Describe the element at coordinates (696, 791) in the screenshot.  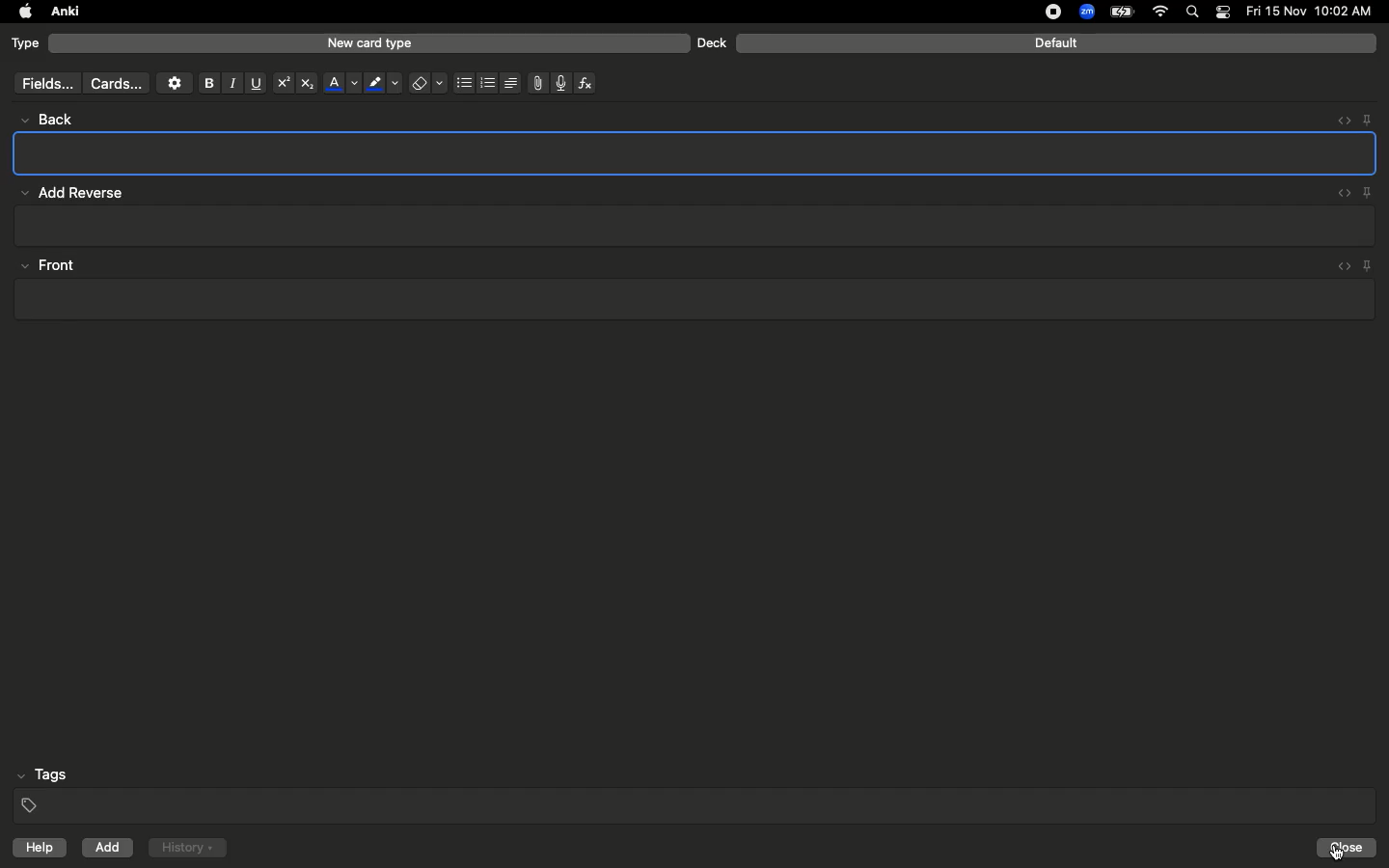
I see `Tags` at that location.